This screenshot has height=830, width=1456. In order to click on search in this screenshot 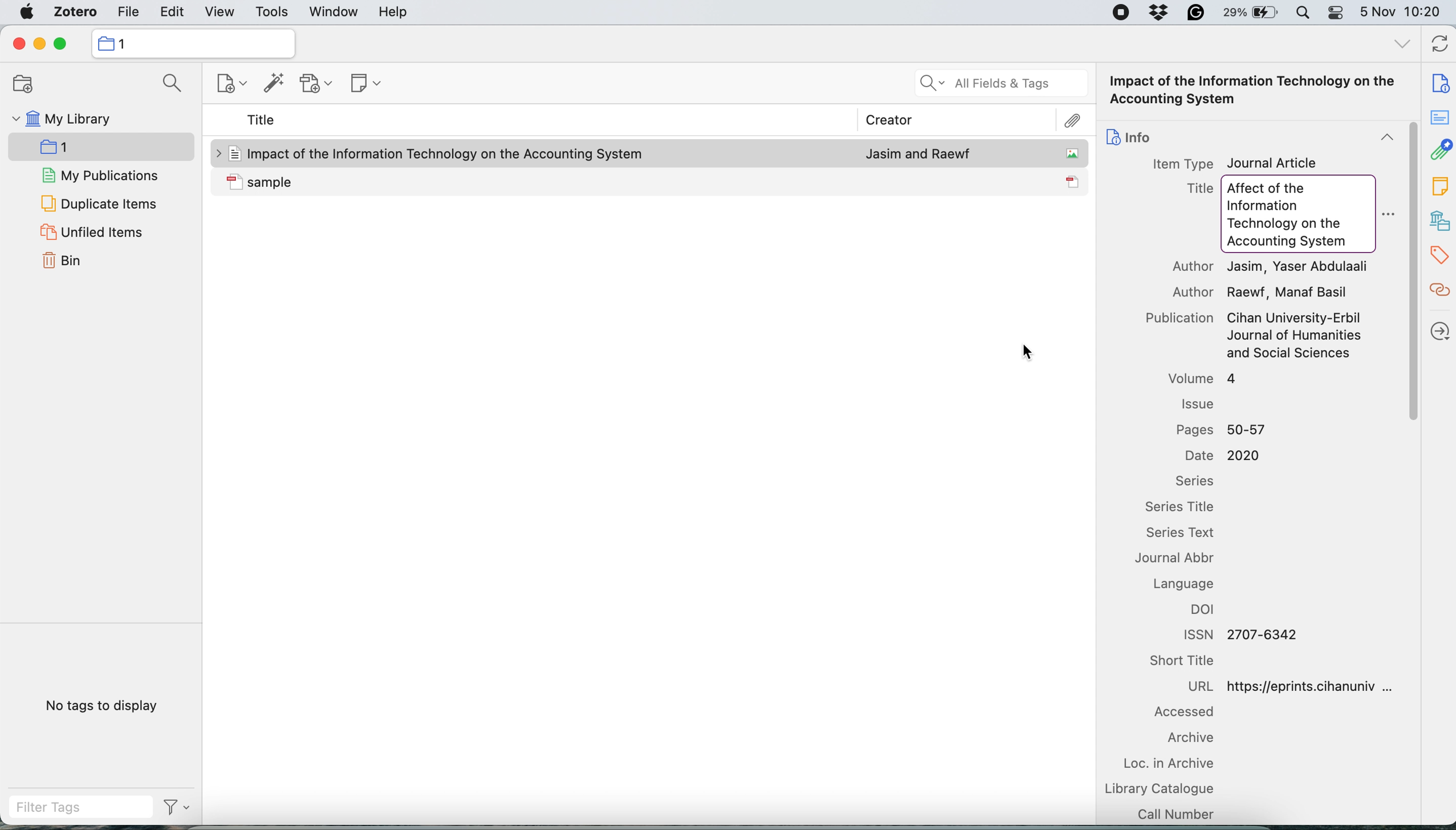, I will do `click(174, 83)`.